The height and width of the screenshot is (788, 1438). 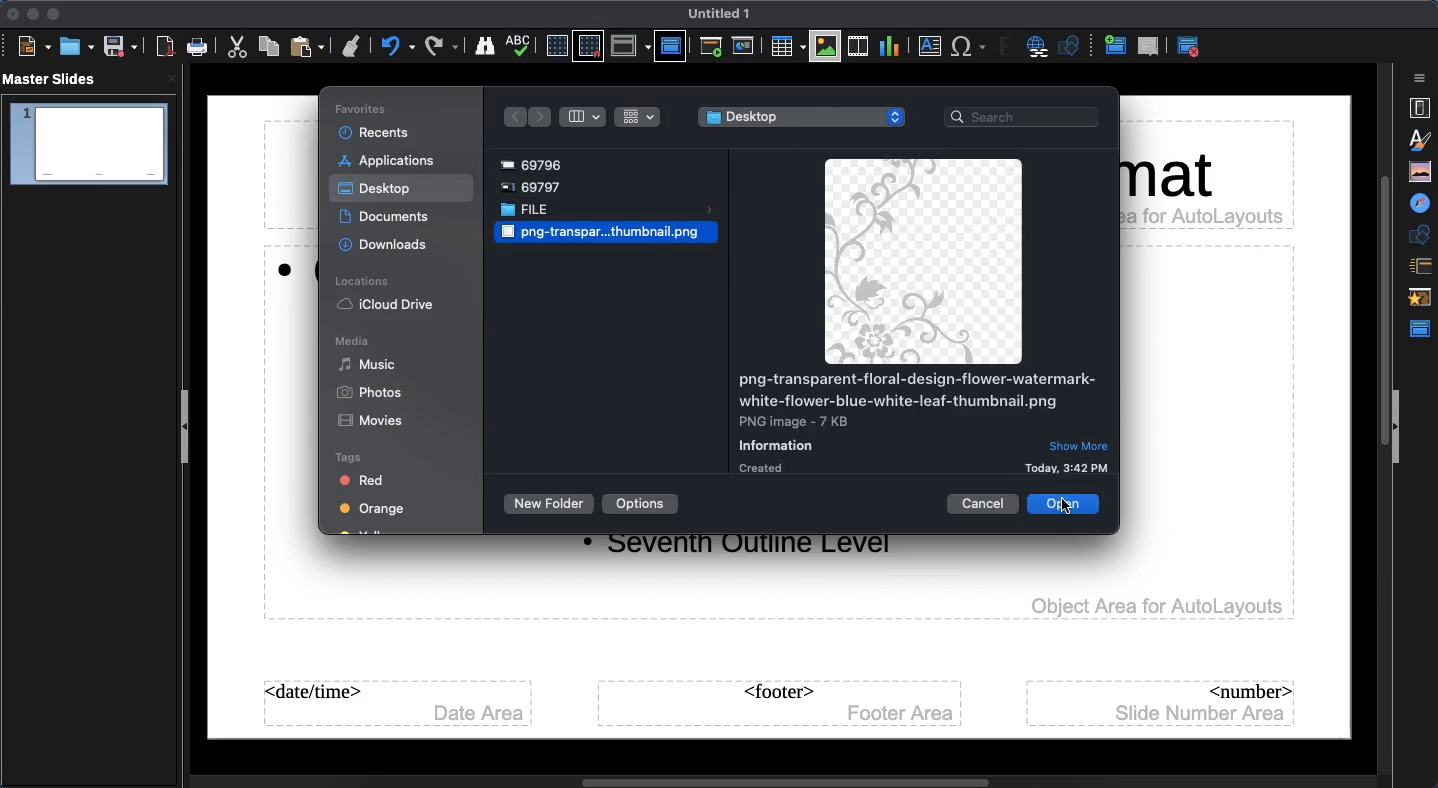 What do you see at coordinates (1085, 513) in the screenshot?
I see `cursor` at bounding box center [1085, 513].